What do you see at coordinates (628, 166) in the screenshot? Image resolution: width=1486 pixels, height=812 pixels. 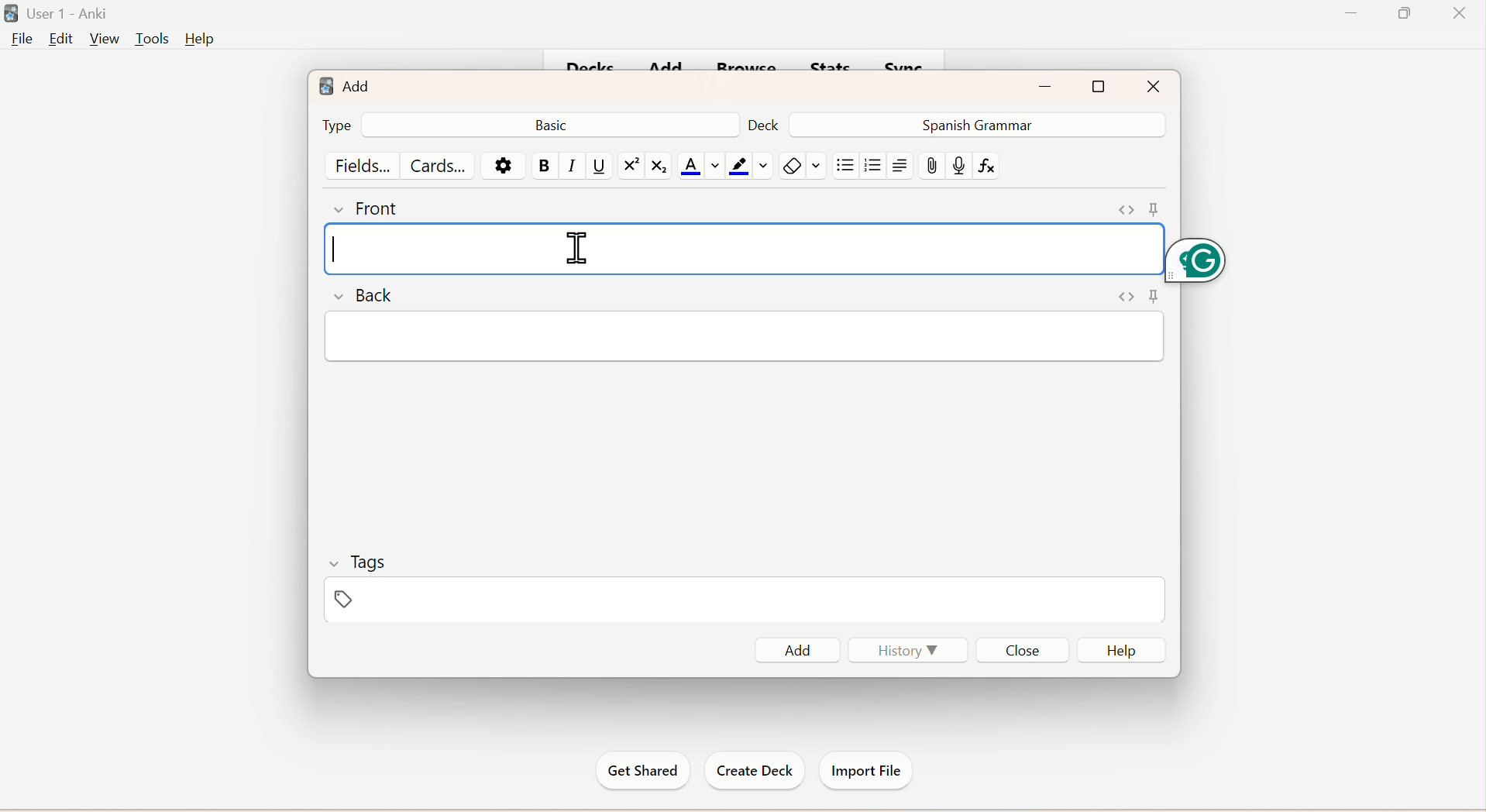 I see `Superscript` at bounding box center [628, 166].